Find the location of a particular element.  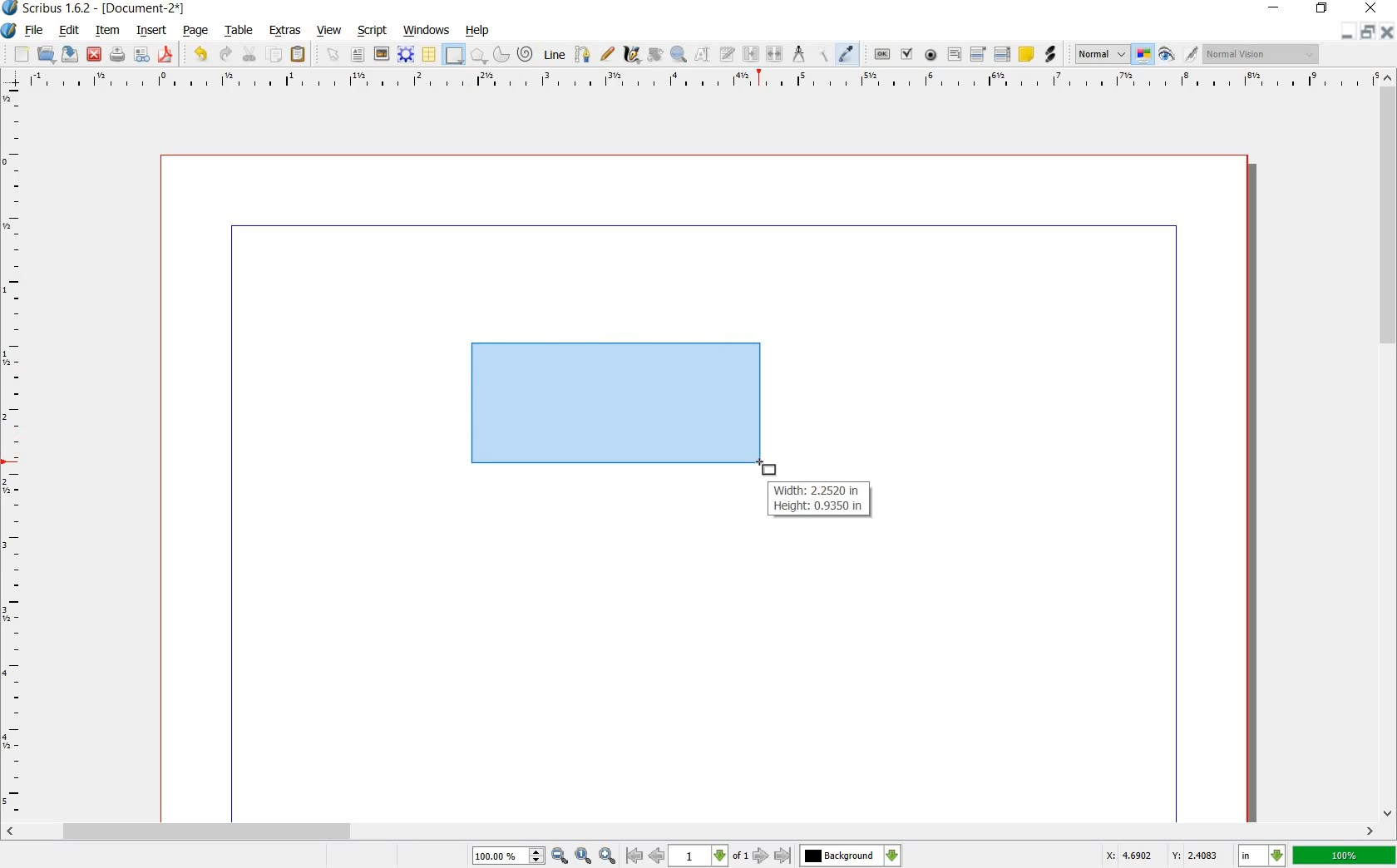

TEXT FRAME is located at coordinates (358, 55).